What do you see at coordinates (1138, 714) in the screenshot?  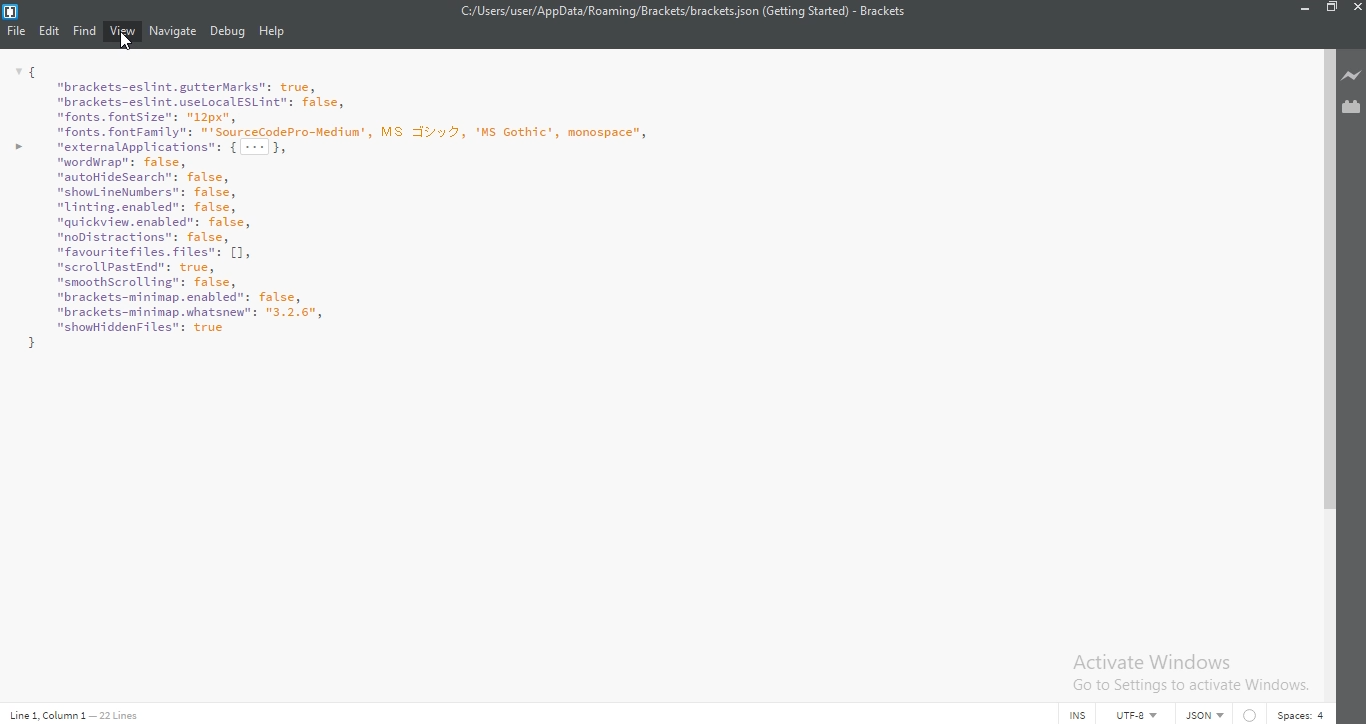 I see ` UTF-8` at bounding box center [1138, 714].